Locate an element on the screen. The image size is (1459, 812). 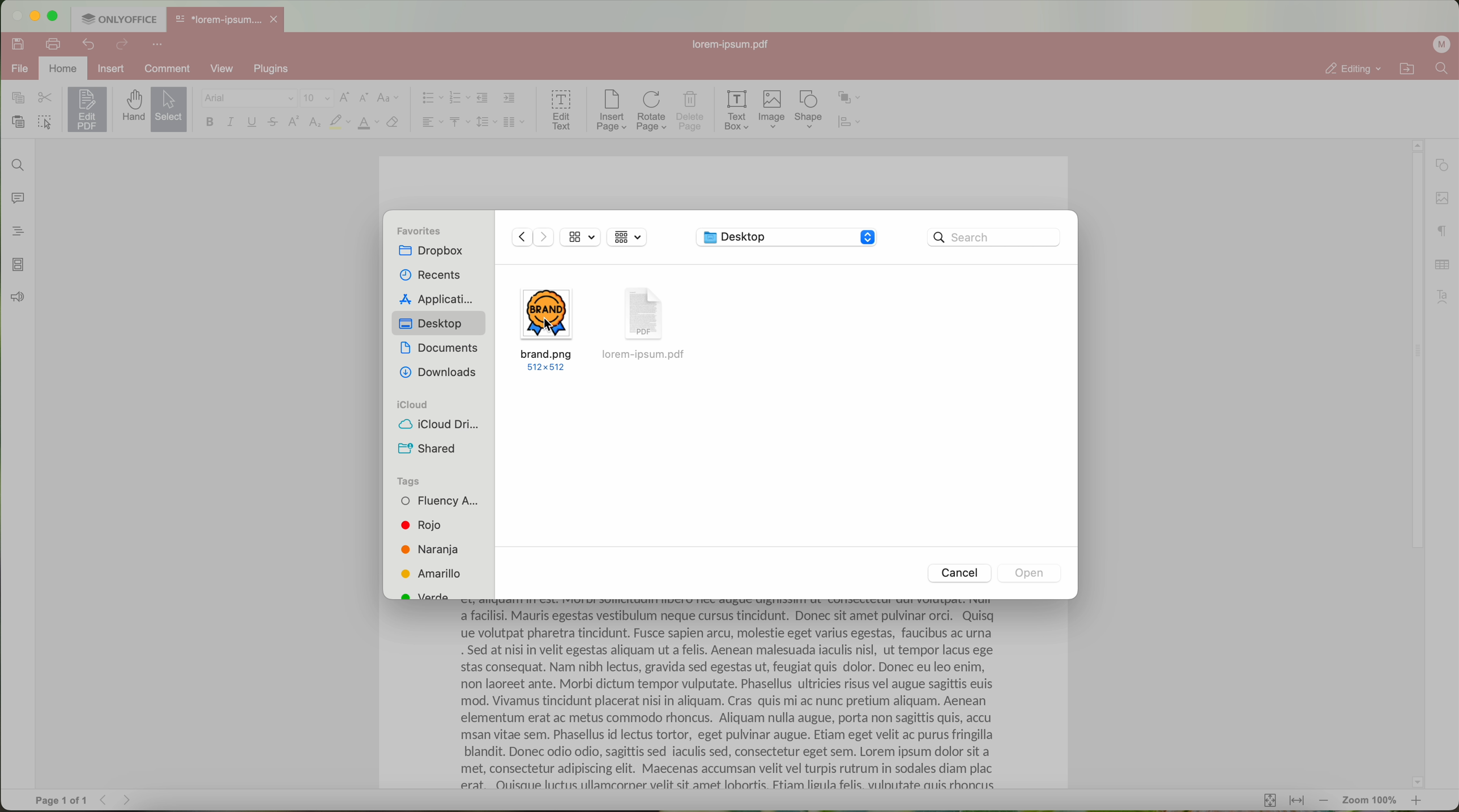
lorem-ipsum.pdf is located at coordinates (735, 44).